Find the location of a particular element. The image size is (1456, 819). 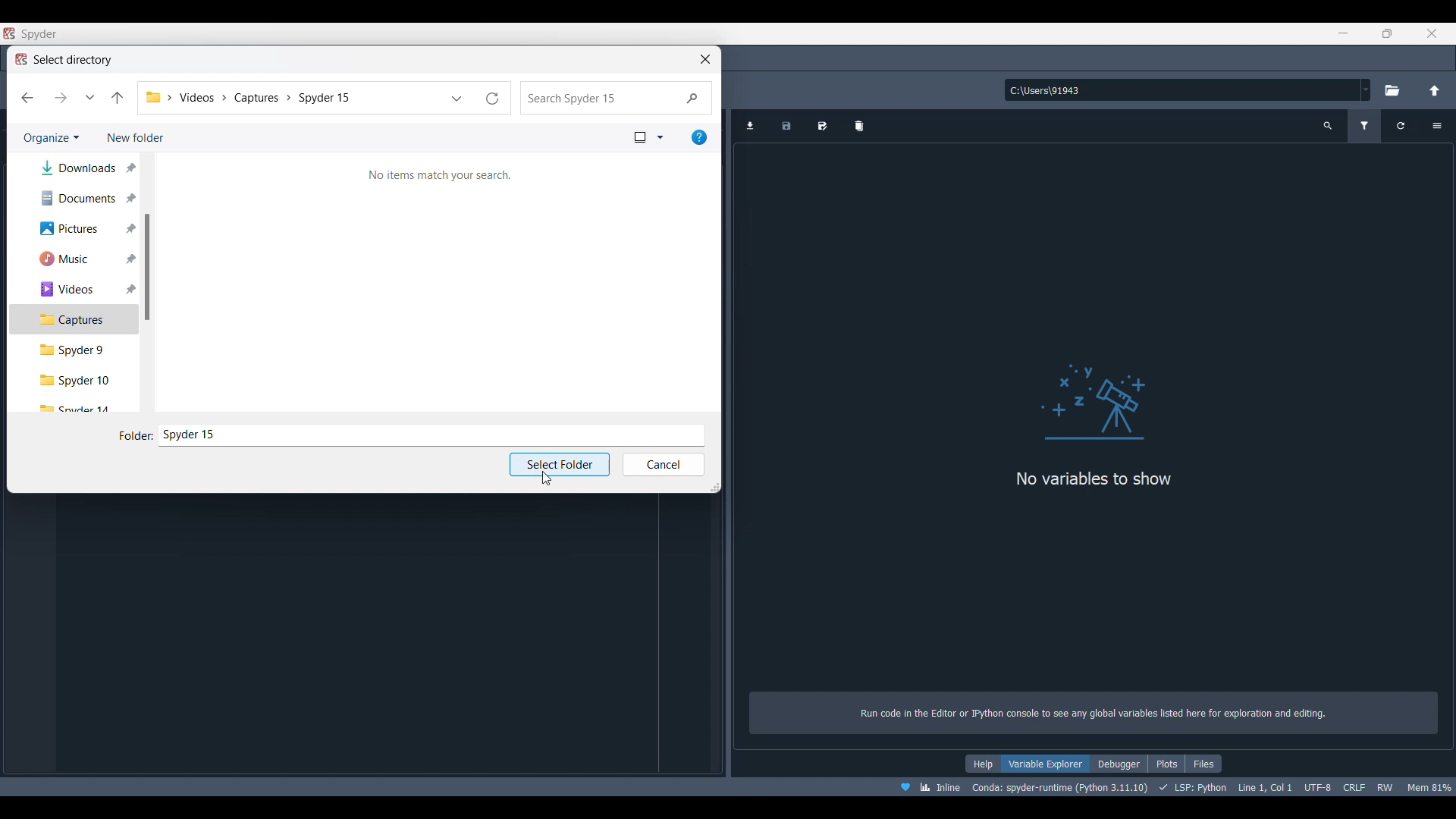

Recent locations  is located at coordinates (89, 97).